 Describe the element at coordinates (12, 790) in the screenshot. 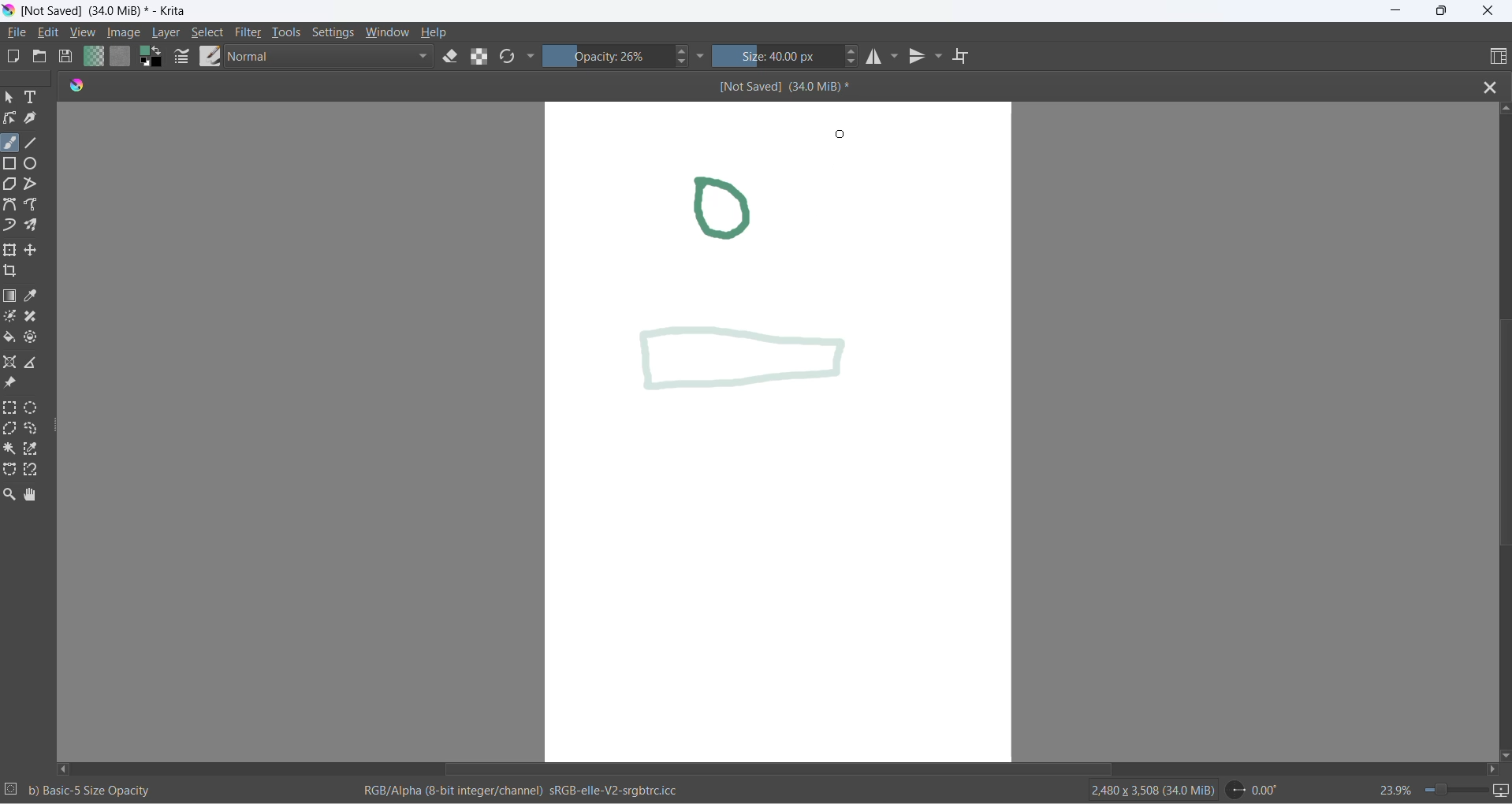

I see `selection setting` at that location.